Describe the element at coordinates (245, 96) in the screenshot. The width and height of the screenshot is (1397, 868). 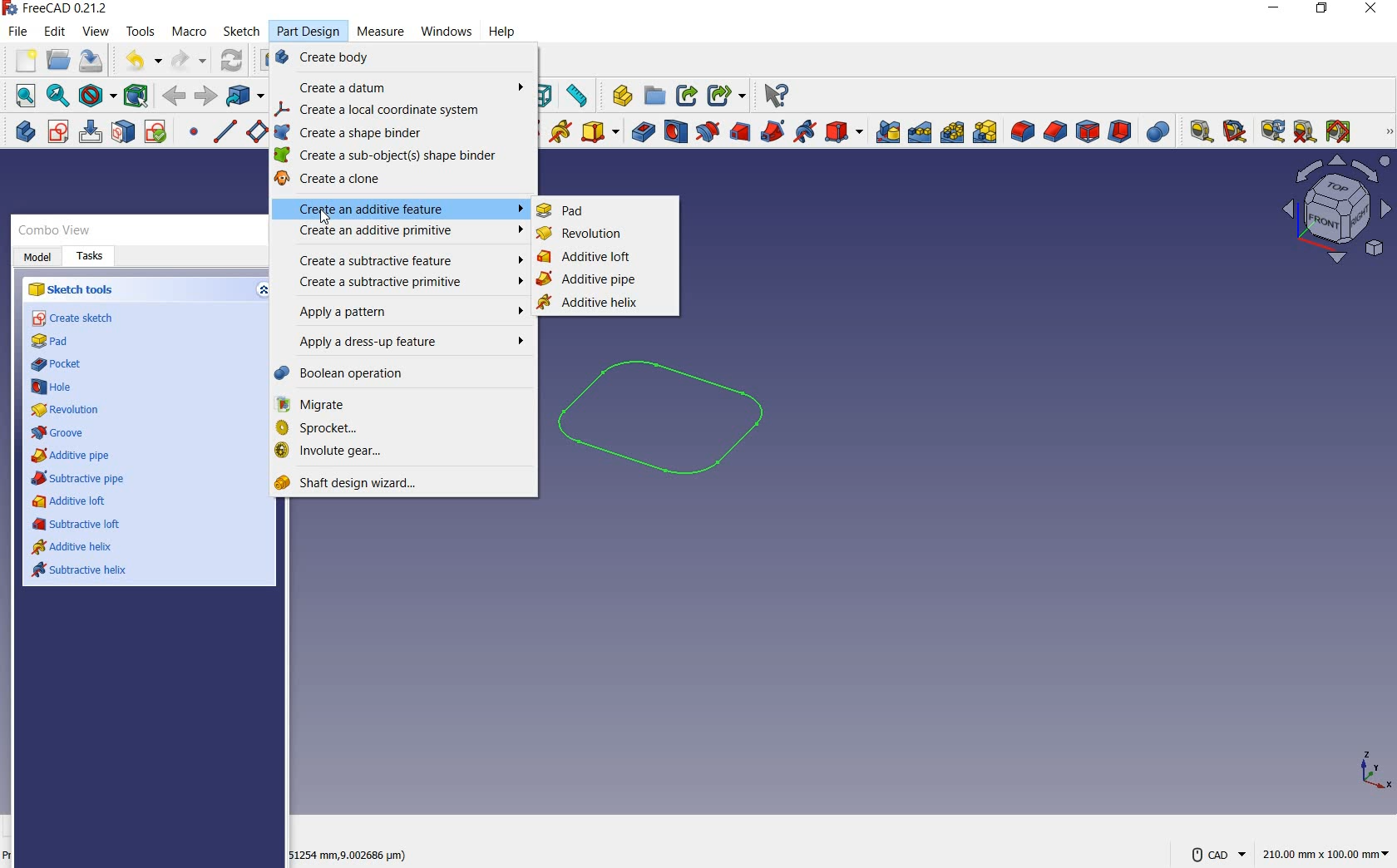
I see `go to linked object` at that location.